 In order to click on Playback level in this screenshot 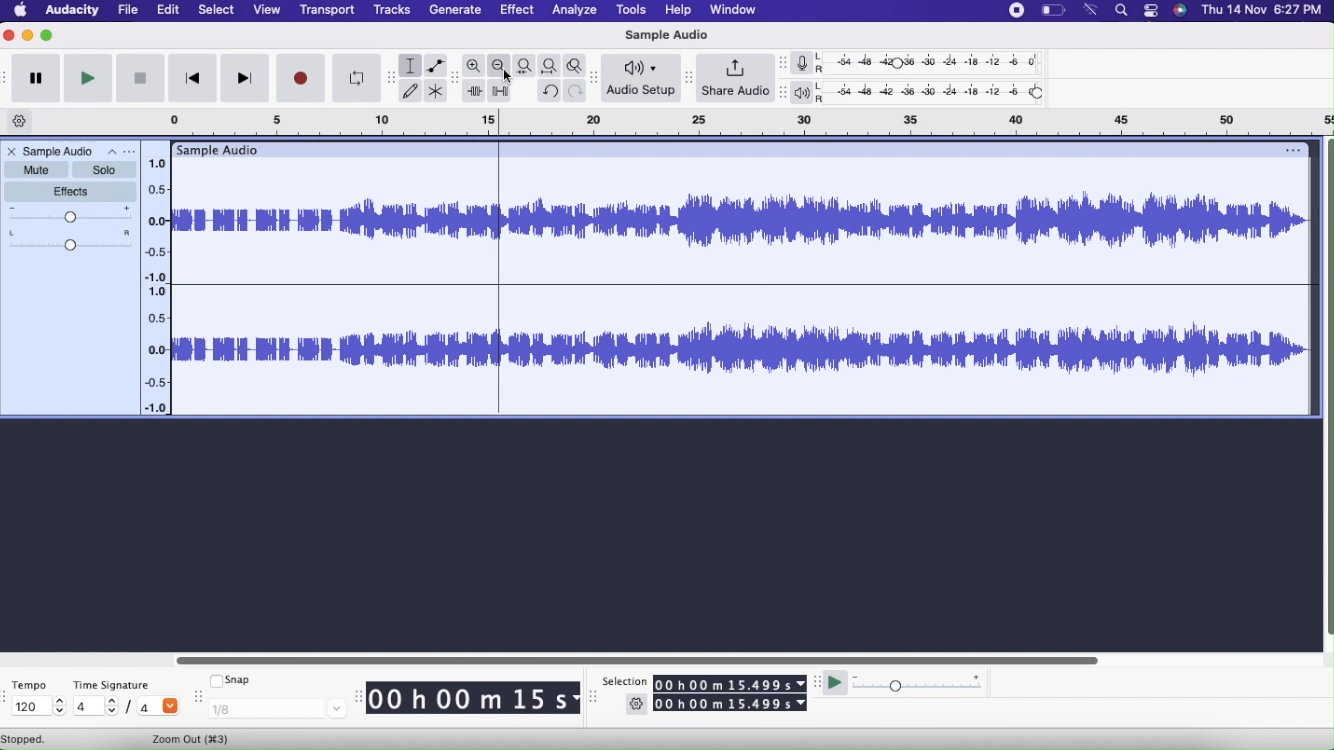, I will do `click(939, 94)`.